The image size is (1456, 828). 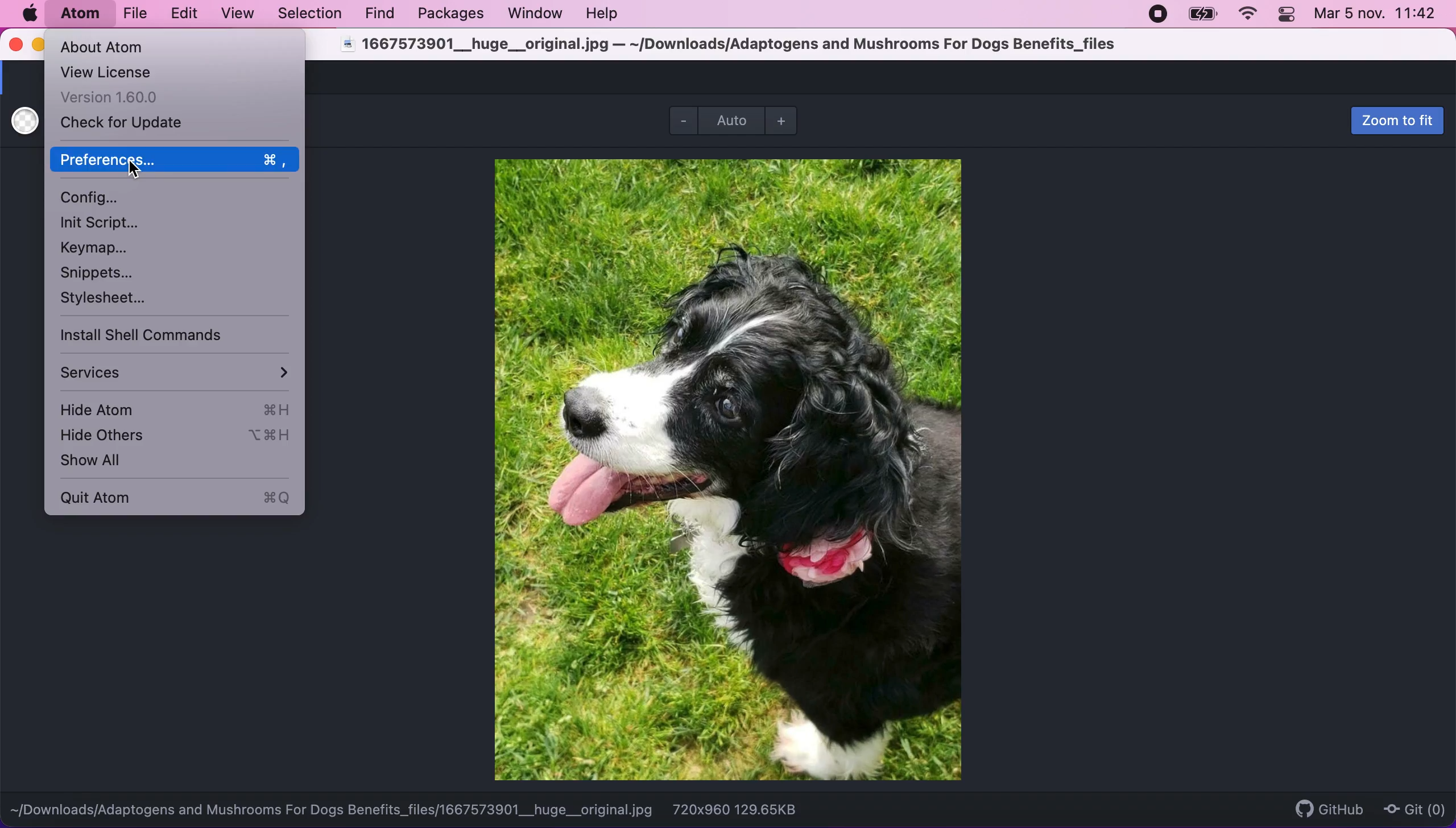 I want to click on selection, so click(x=308, y=14).